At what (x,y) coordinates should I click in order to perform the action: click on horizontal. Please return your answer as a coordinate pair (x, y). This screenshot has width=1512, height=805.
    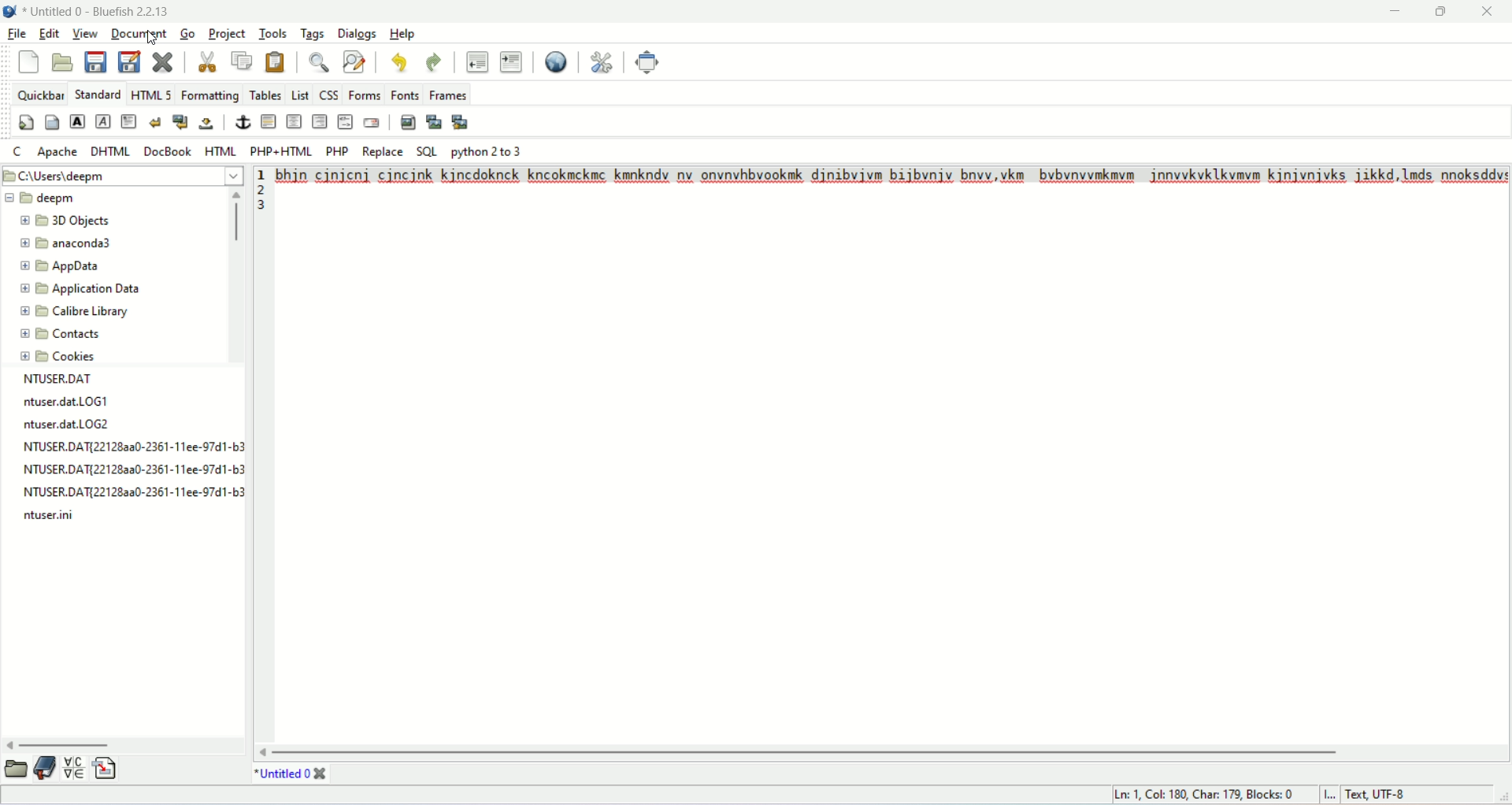
    Looking at the image, I should click on (270, 123).